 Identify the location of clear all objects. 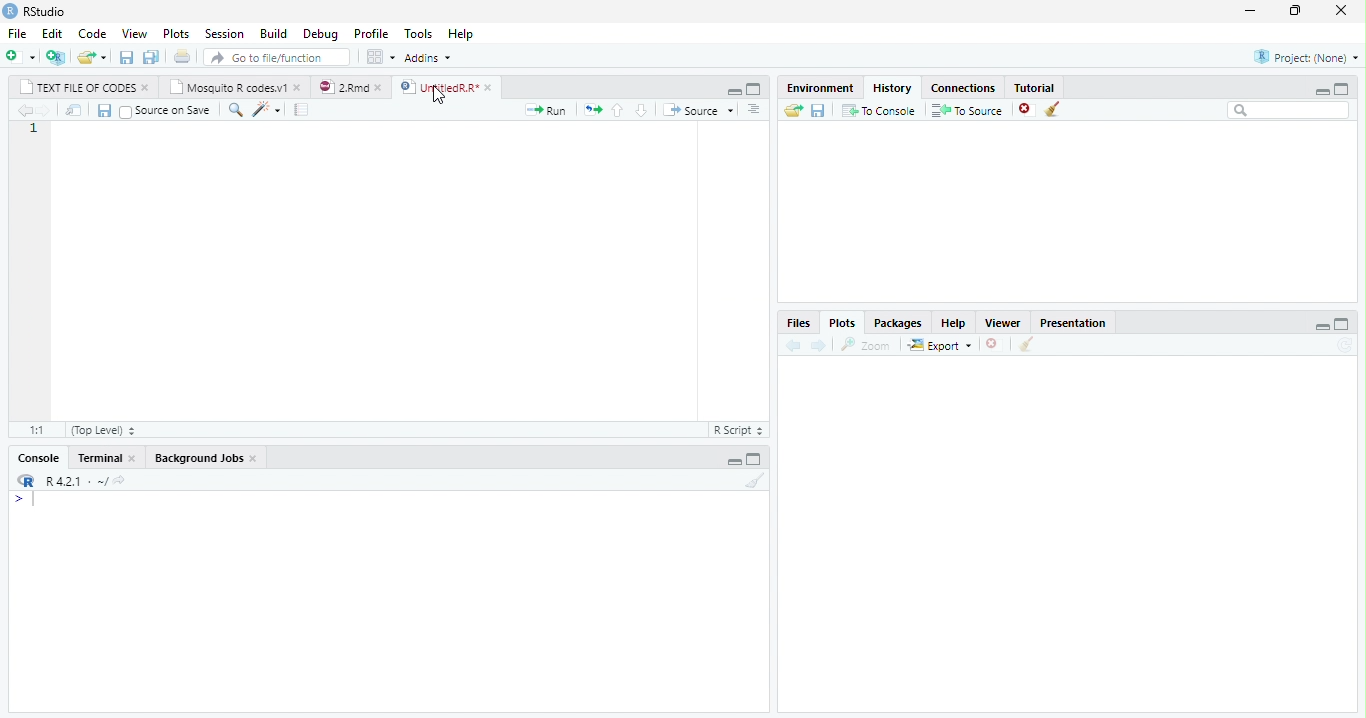
(1053, 110).